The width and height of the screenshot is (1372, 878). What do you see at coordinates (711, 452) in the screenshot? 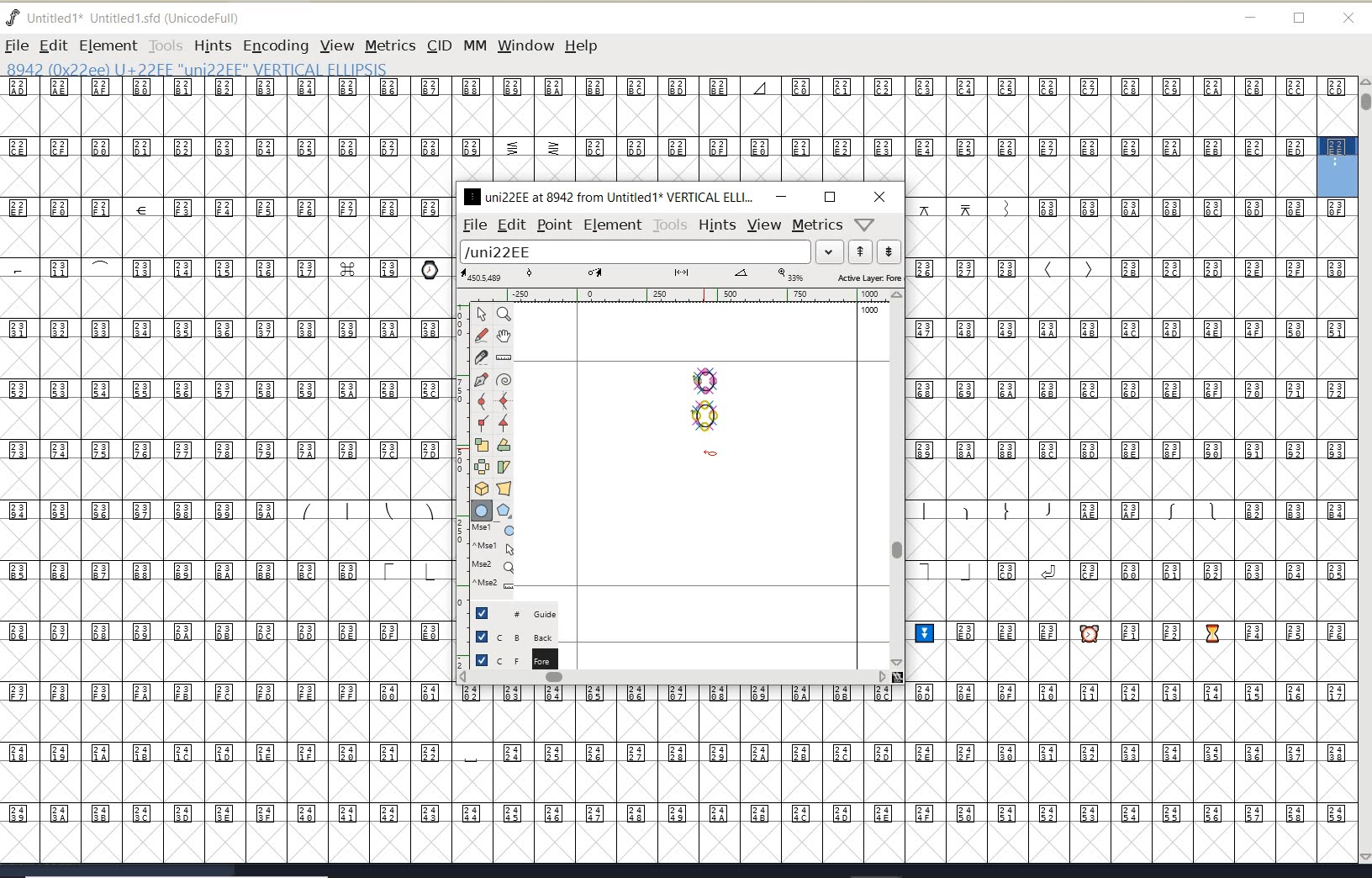
I see `ellipse tool` at bounding box center [711, 452].